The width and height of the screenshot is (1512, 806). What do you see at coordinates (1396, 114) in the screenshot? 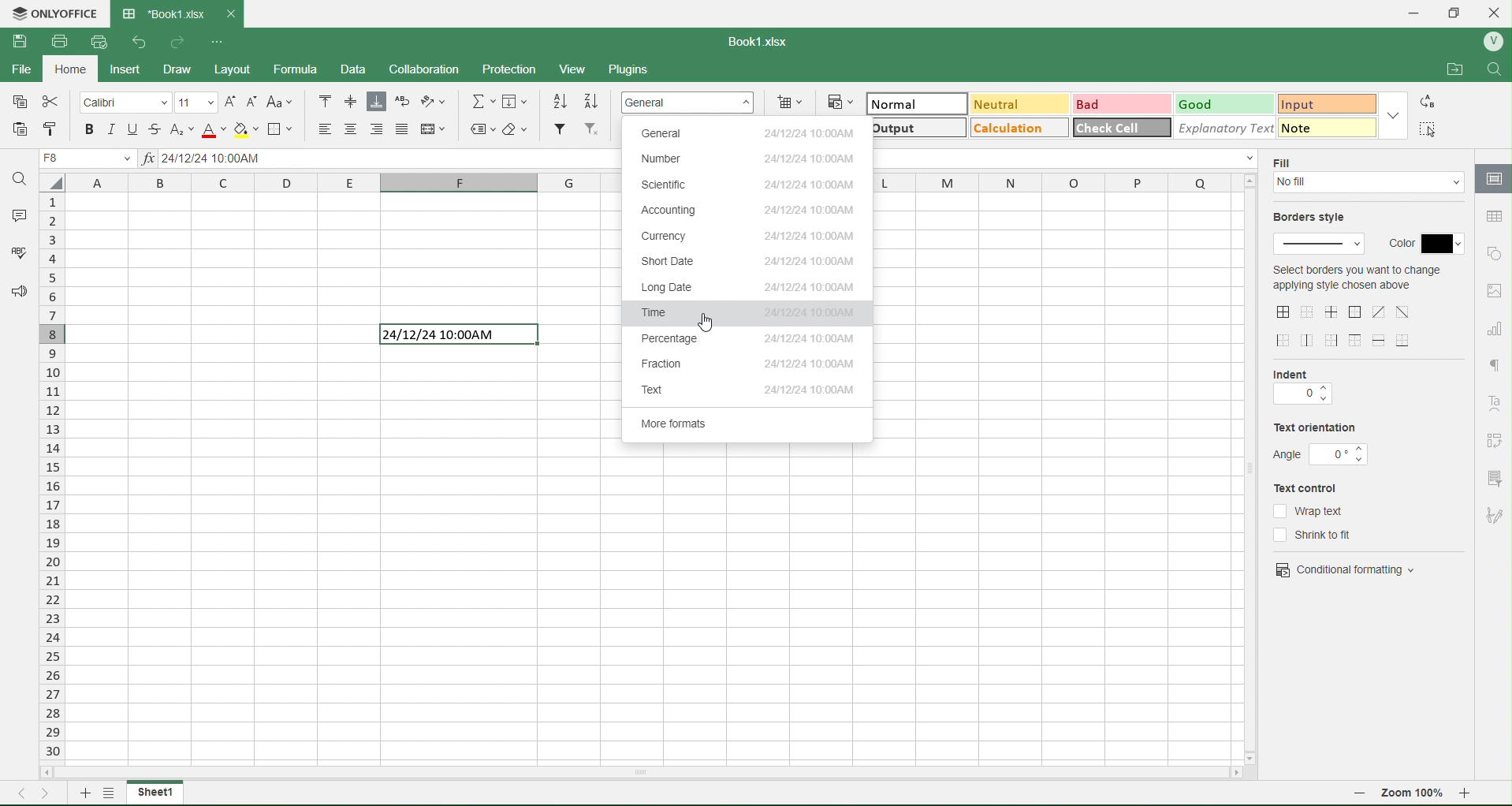
I see `Formatting Box` at bounding box center [1396, 114].